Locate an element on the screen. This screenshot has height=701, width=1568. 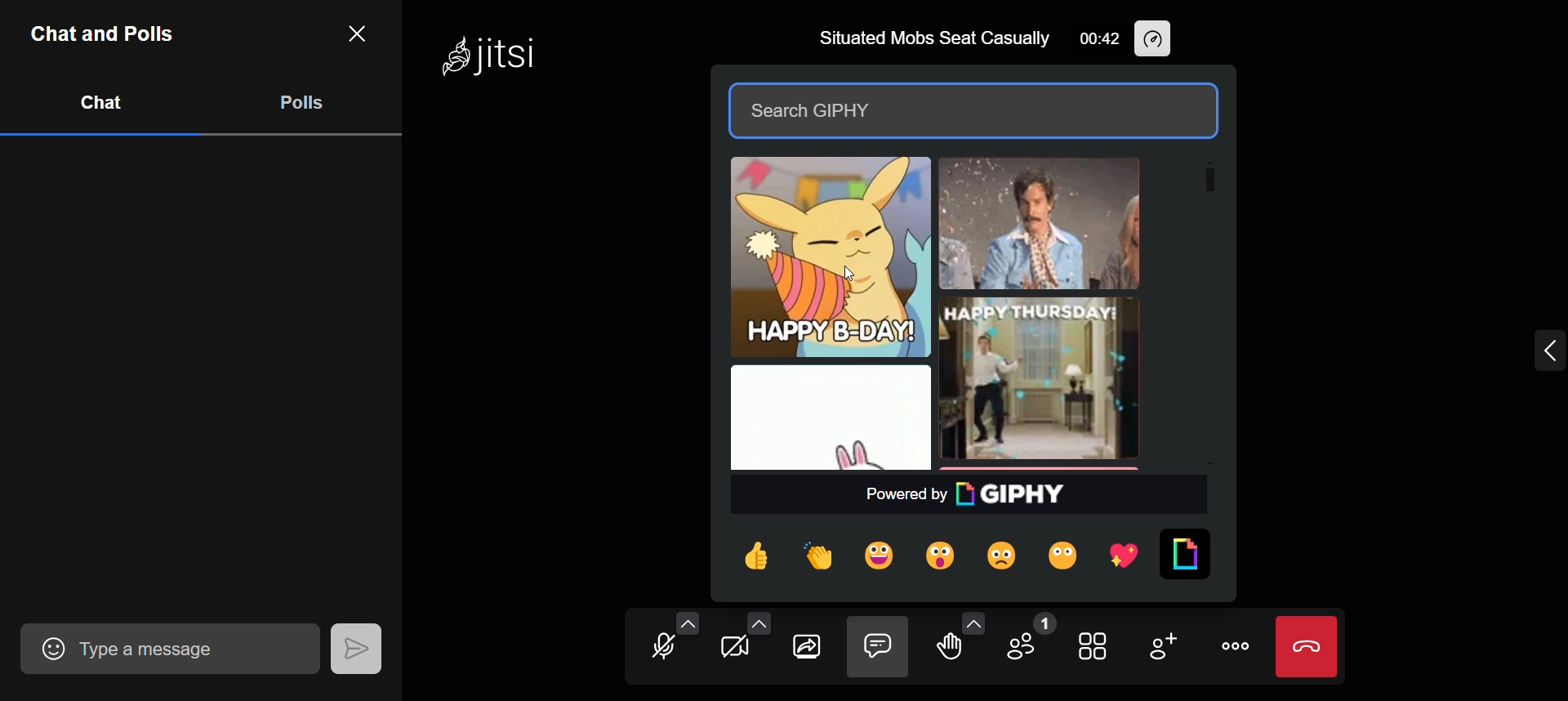
participants is located at coordinates (1026, 633).